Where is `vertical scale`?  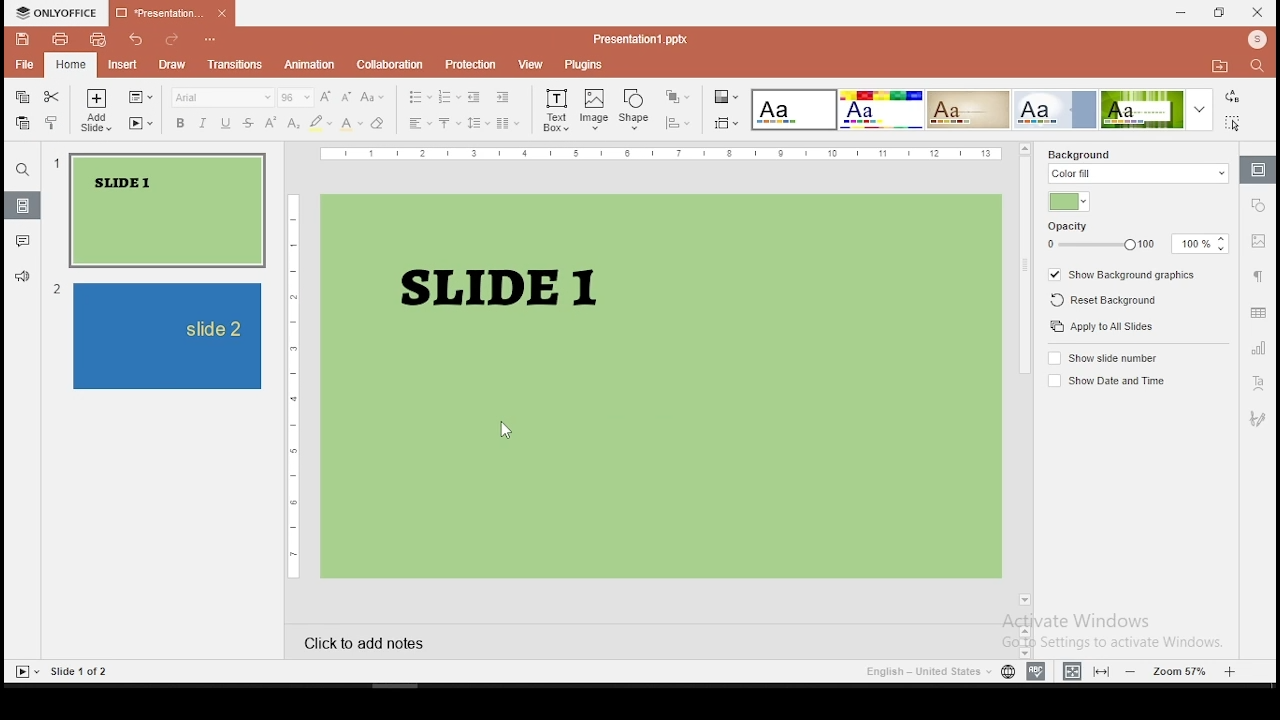 vertical scale is located at coordinates (294, 386).